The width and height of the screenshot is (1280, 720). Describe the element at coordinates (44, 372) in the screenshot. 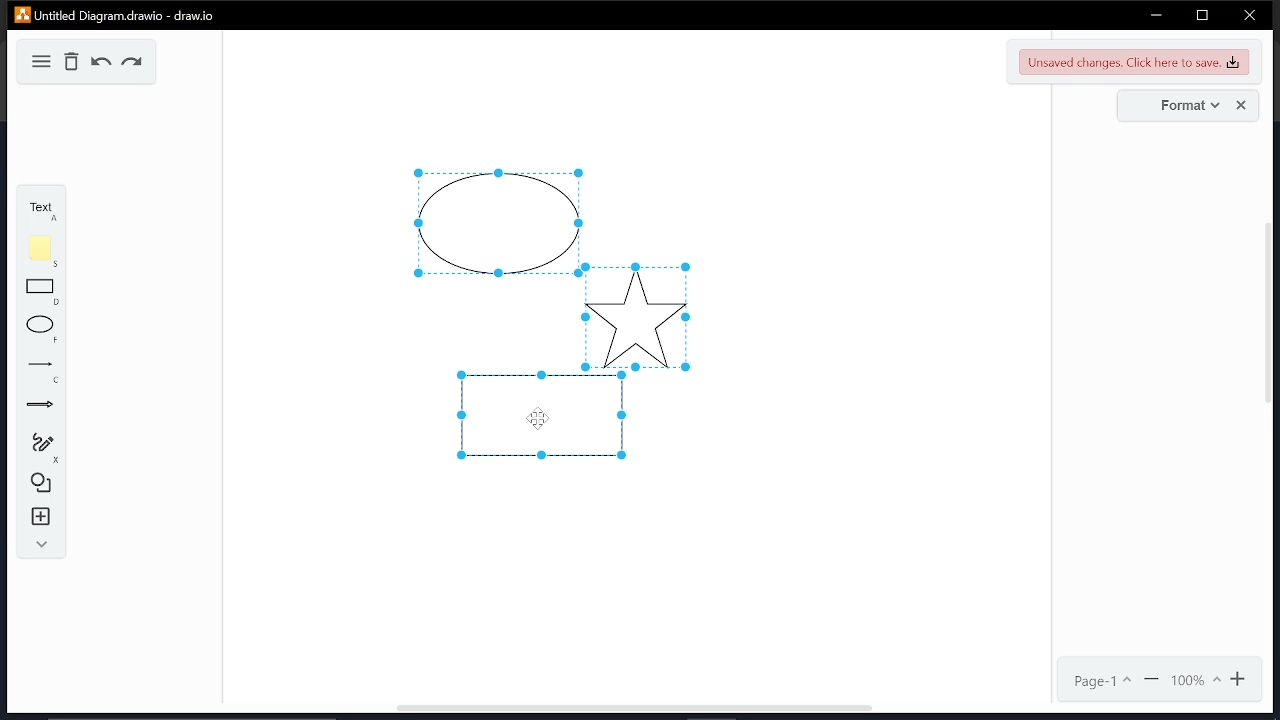

I see `lines` at that location.